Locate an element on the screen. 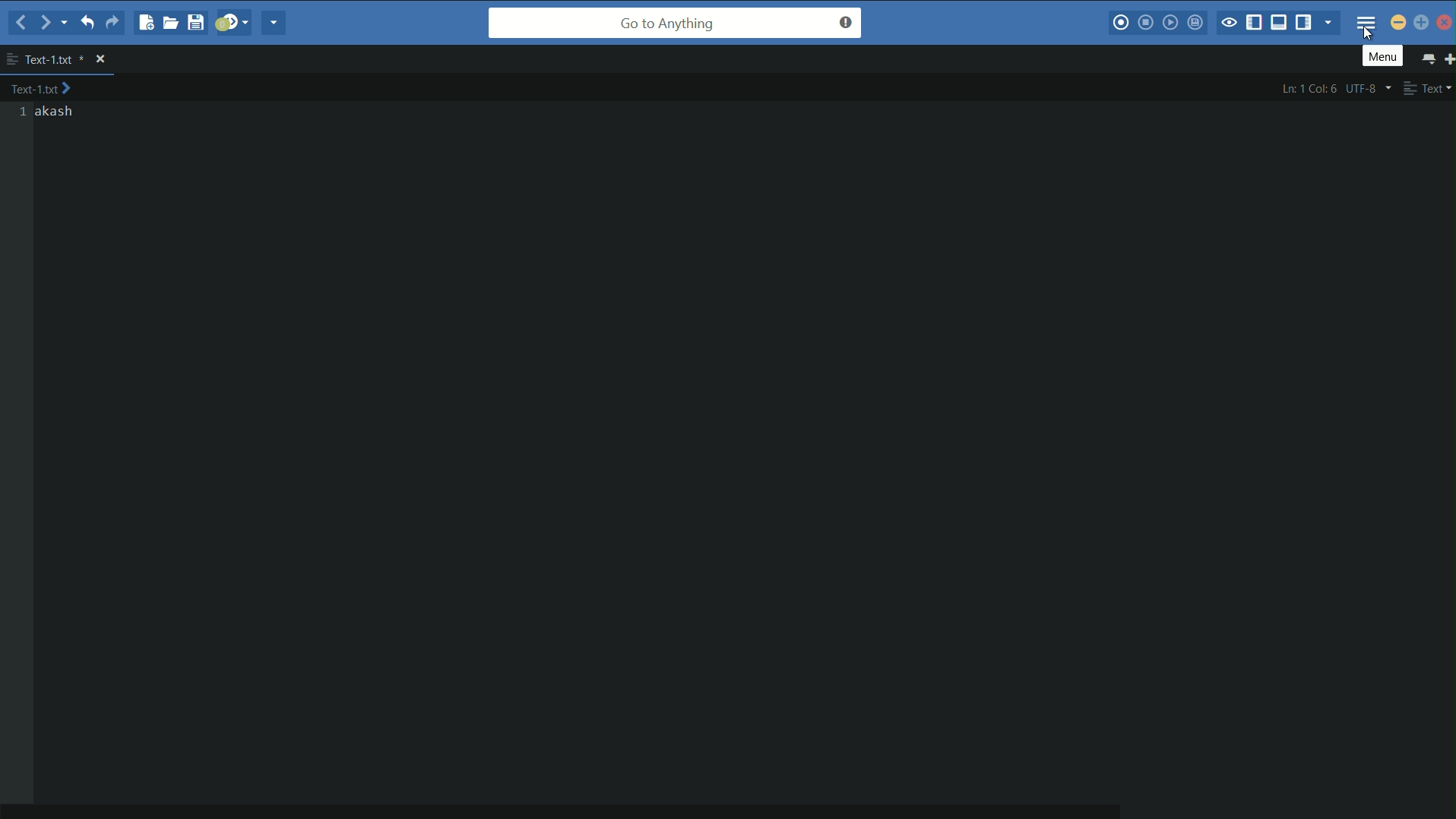  record macro is located at coordinates (1121, 23).